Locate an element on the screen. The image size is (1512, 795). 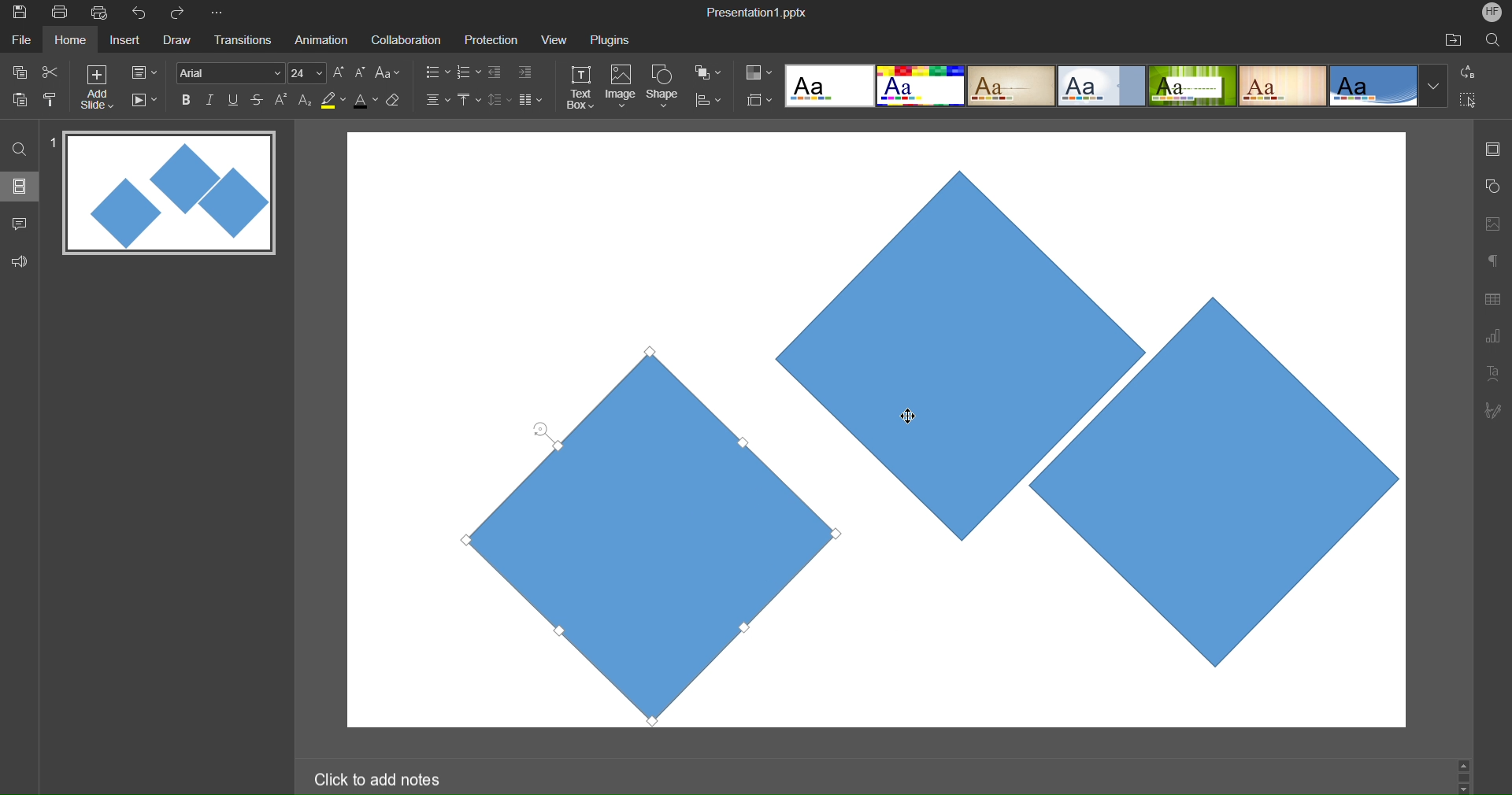
Increase Indent is located at coordinates (525, 70).